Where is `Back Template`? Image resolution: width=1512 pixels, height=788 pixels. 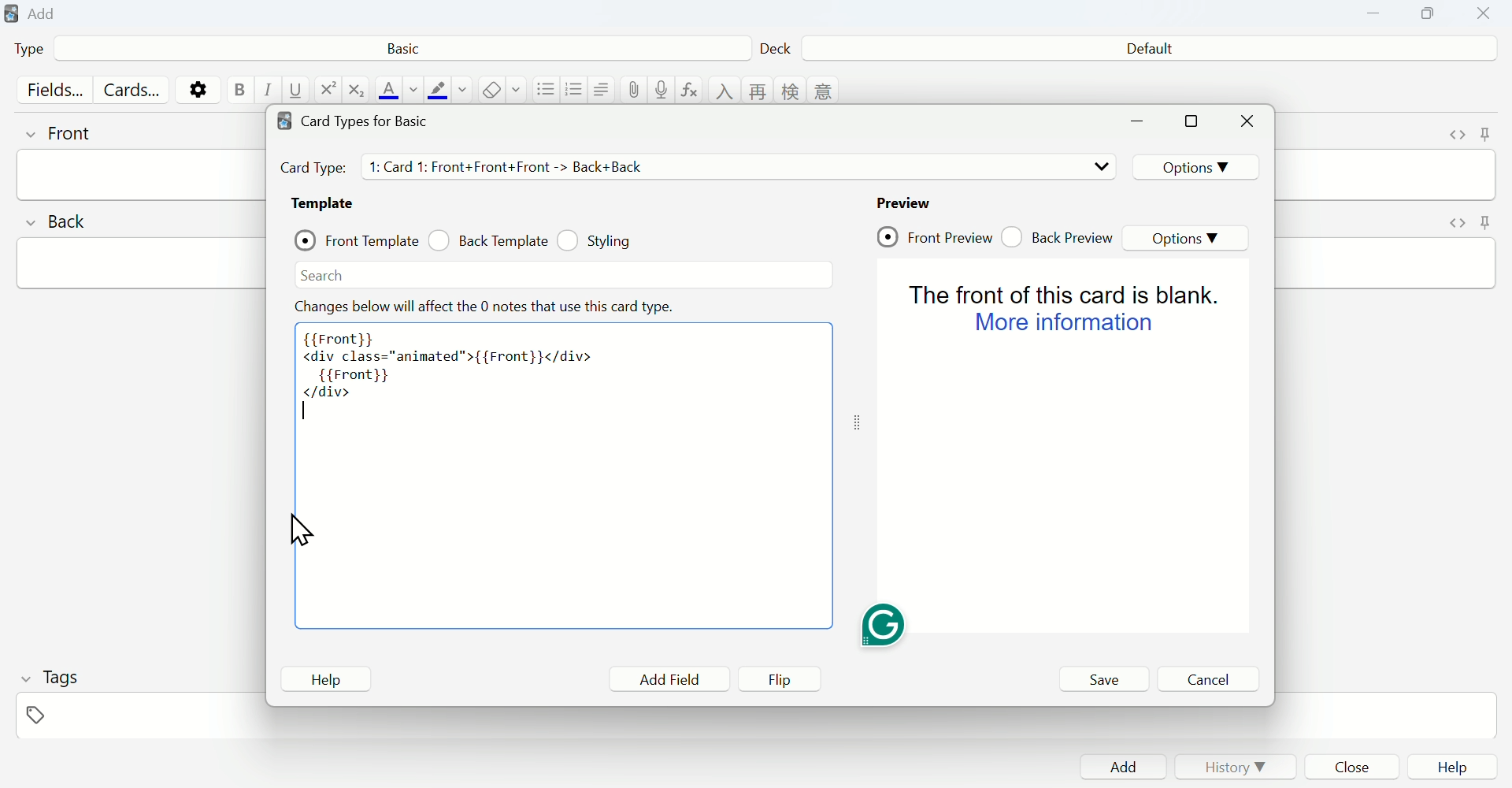 Back Template is located at coordinates (487, 240).